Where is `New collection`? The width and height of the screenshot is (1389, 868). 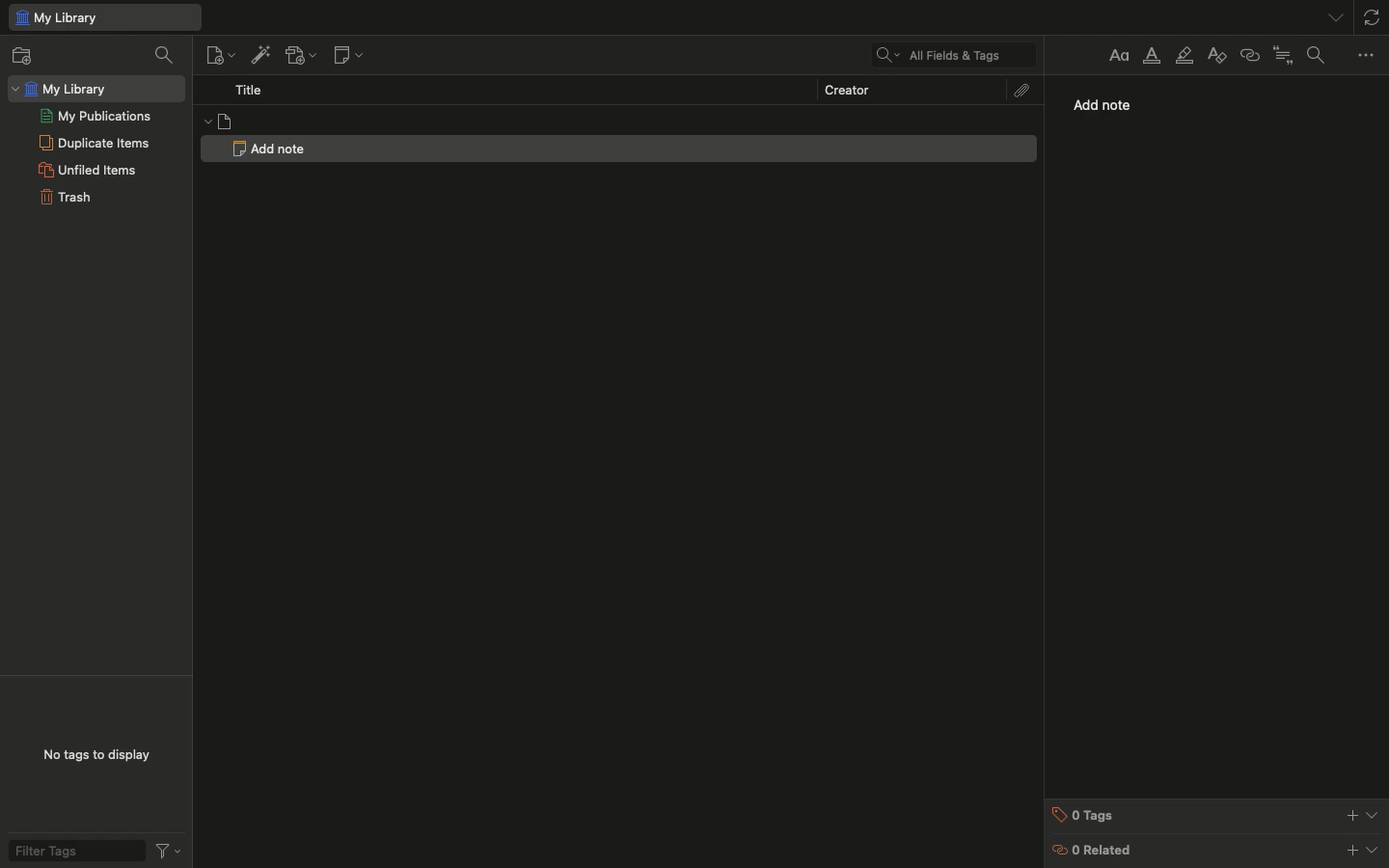 New collection is located at coordinates (30, 55).